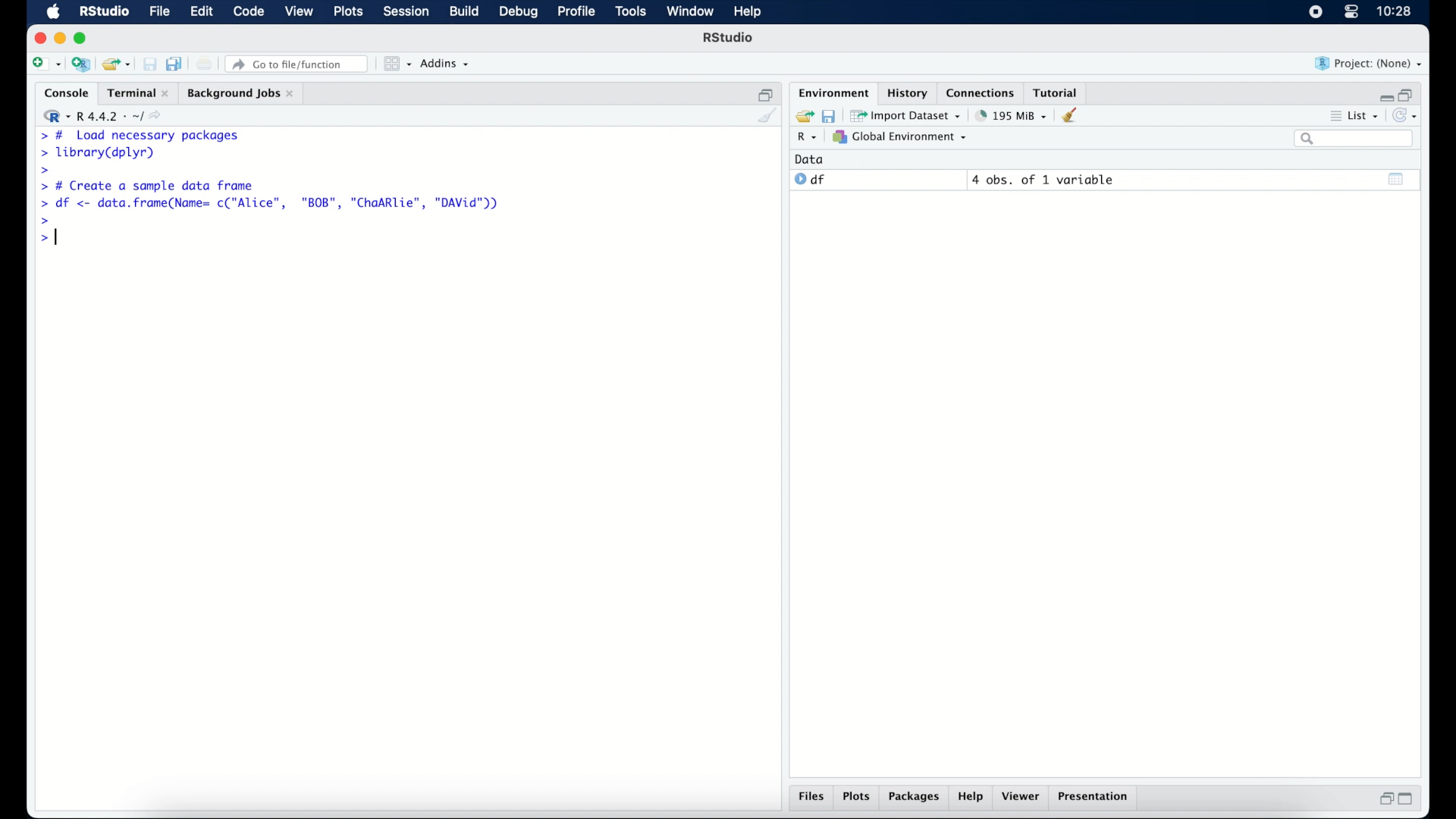  Describe the element at coordinates (104, 12) in the screenshot. I see `R Studio` at that location.